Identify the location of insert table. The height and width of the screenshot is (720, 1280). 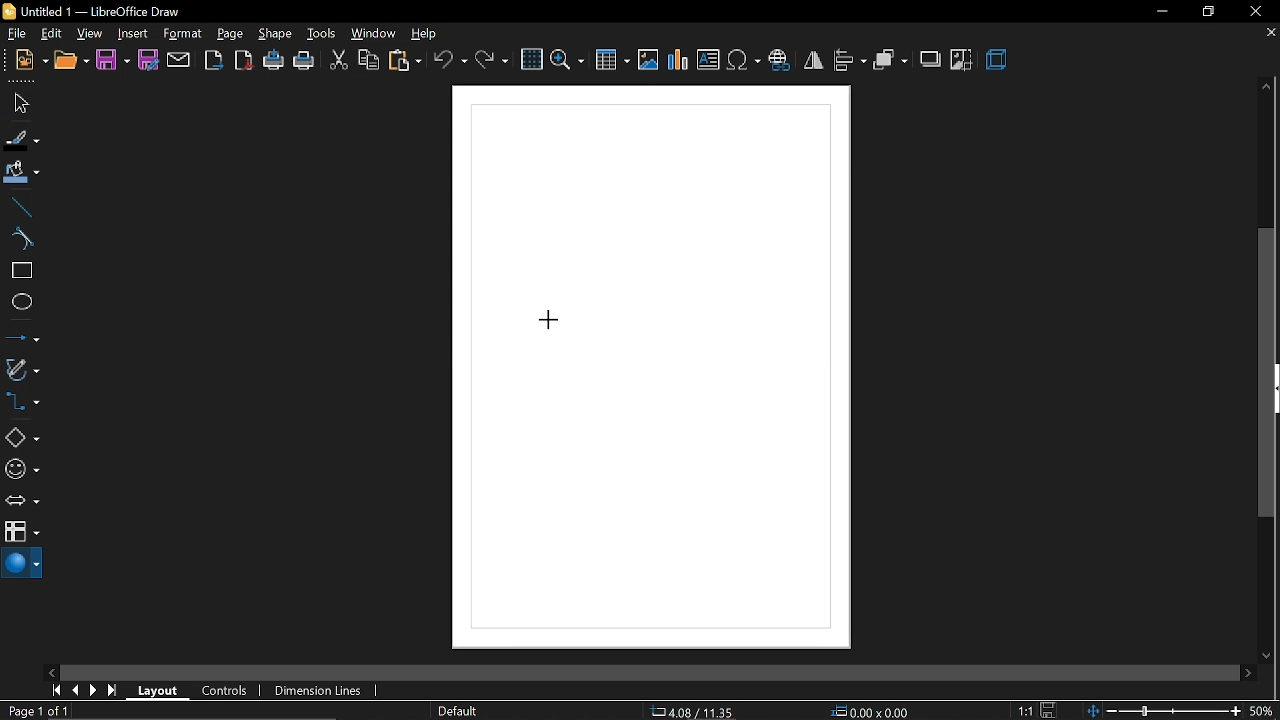
(612, 61).